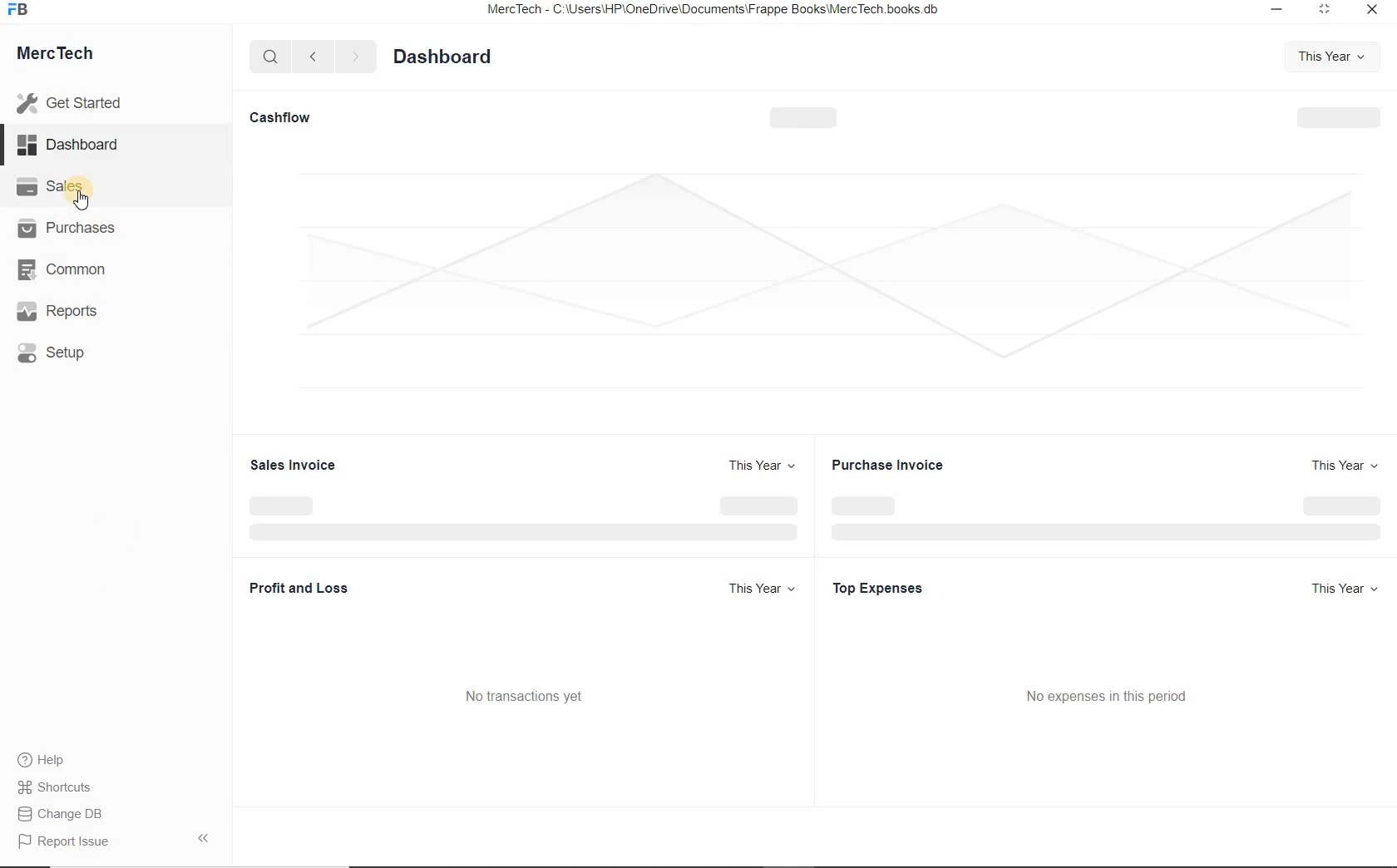 This screenshot has width=1397, height=868. I want to click on No expenses in this period, so click(1105, 696).